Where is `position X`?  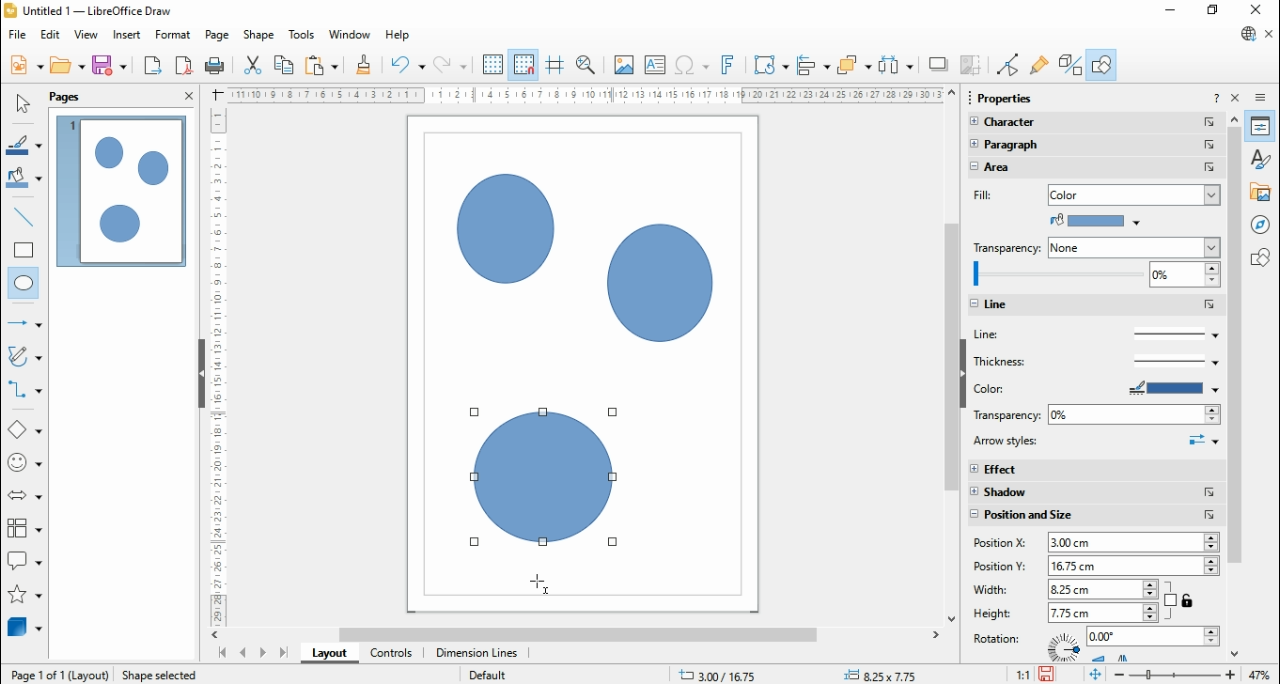 position X is located at coordinates (1002, 543).